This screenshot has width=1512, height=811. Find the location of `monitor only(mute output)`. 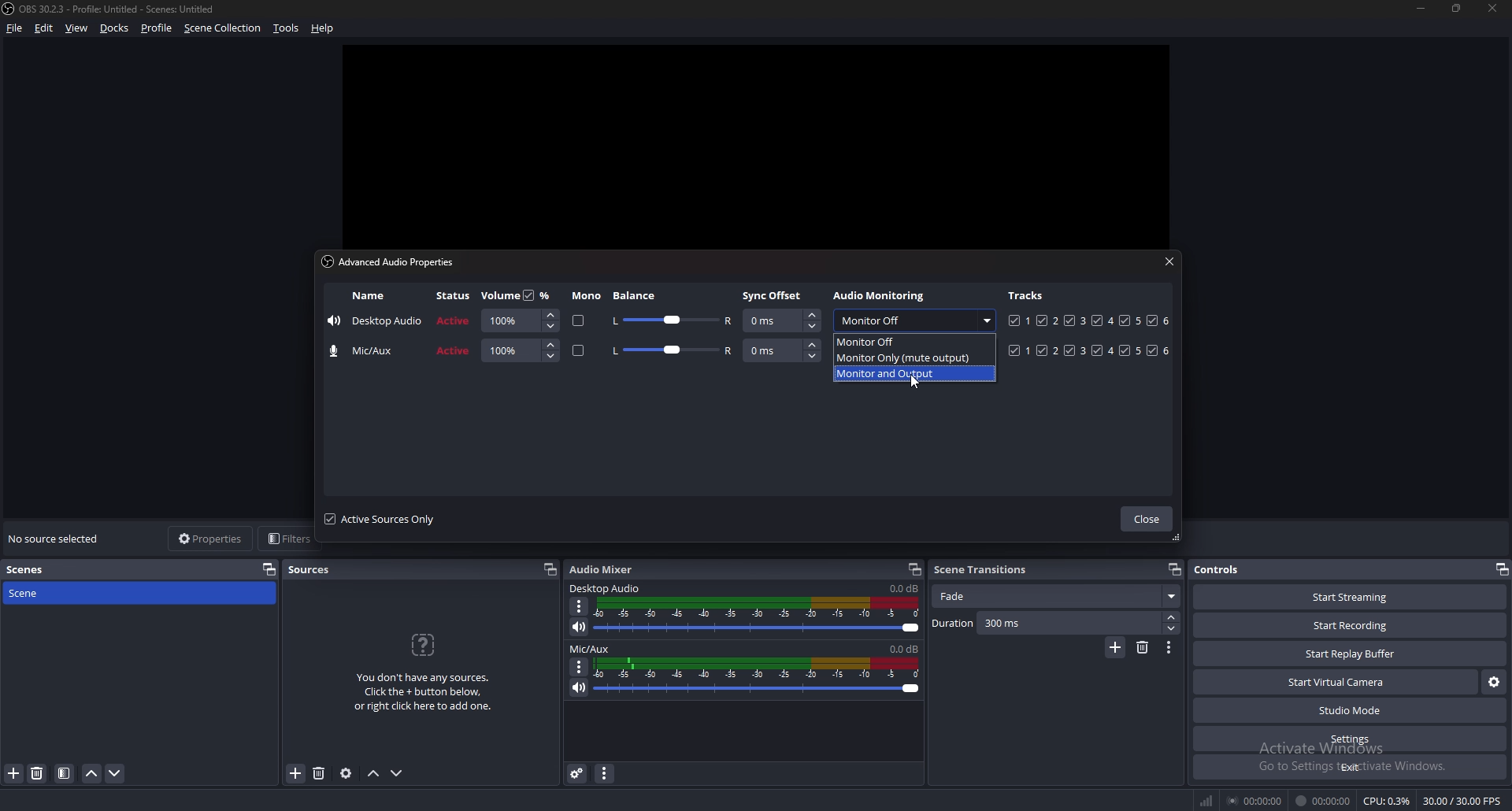

monitor only(mute output) is located at coordinates (913, 357).